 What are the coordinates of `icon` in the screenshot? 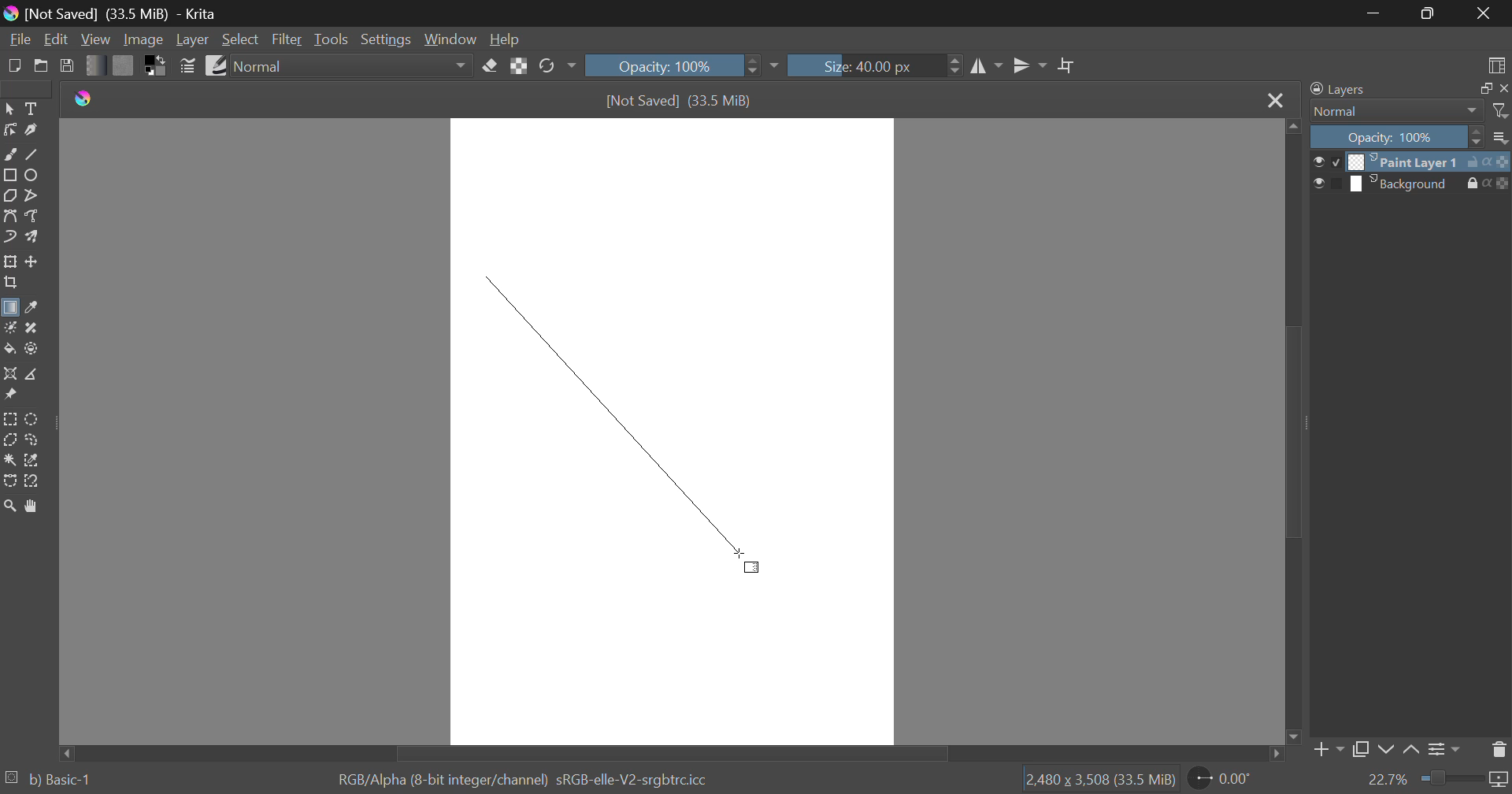 It's located at (1503, 184).